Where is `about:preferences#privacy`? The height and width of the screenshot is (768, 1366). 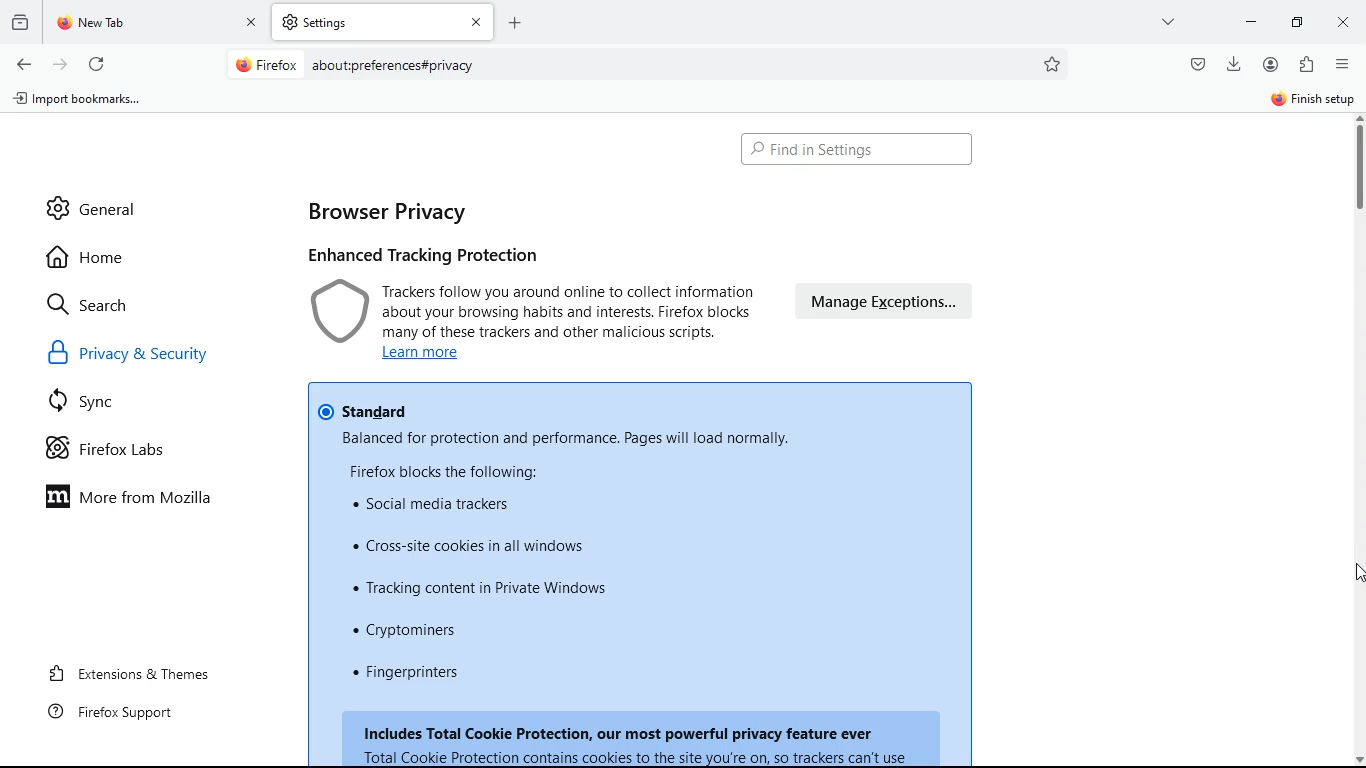 about:preferences#privacy is located at coordinates (394, 66).